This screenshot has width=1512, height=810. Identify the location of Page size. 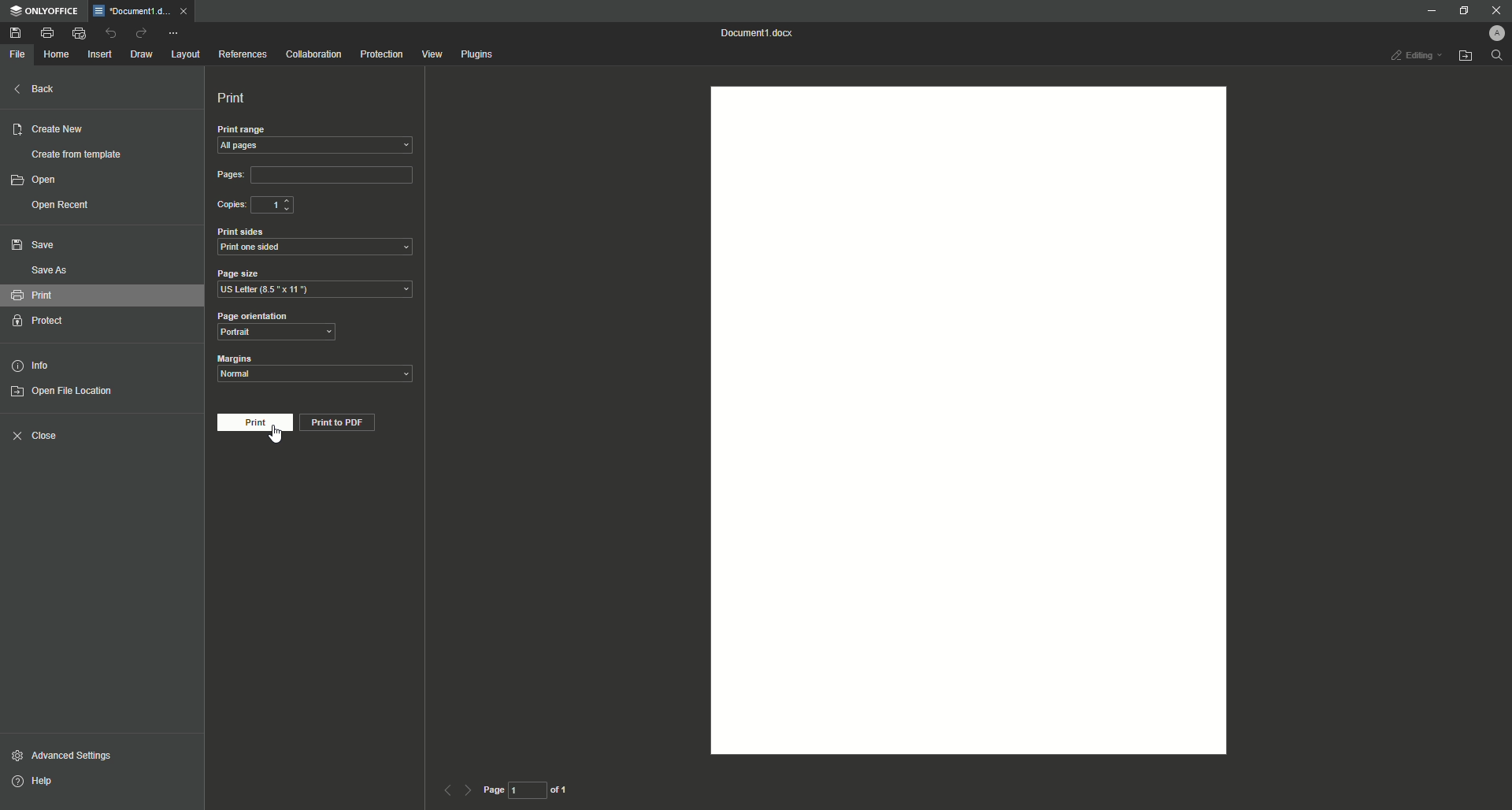
(242, 273).